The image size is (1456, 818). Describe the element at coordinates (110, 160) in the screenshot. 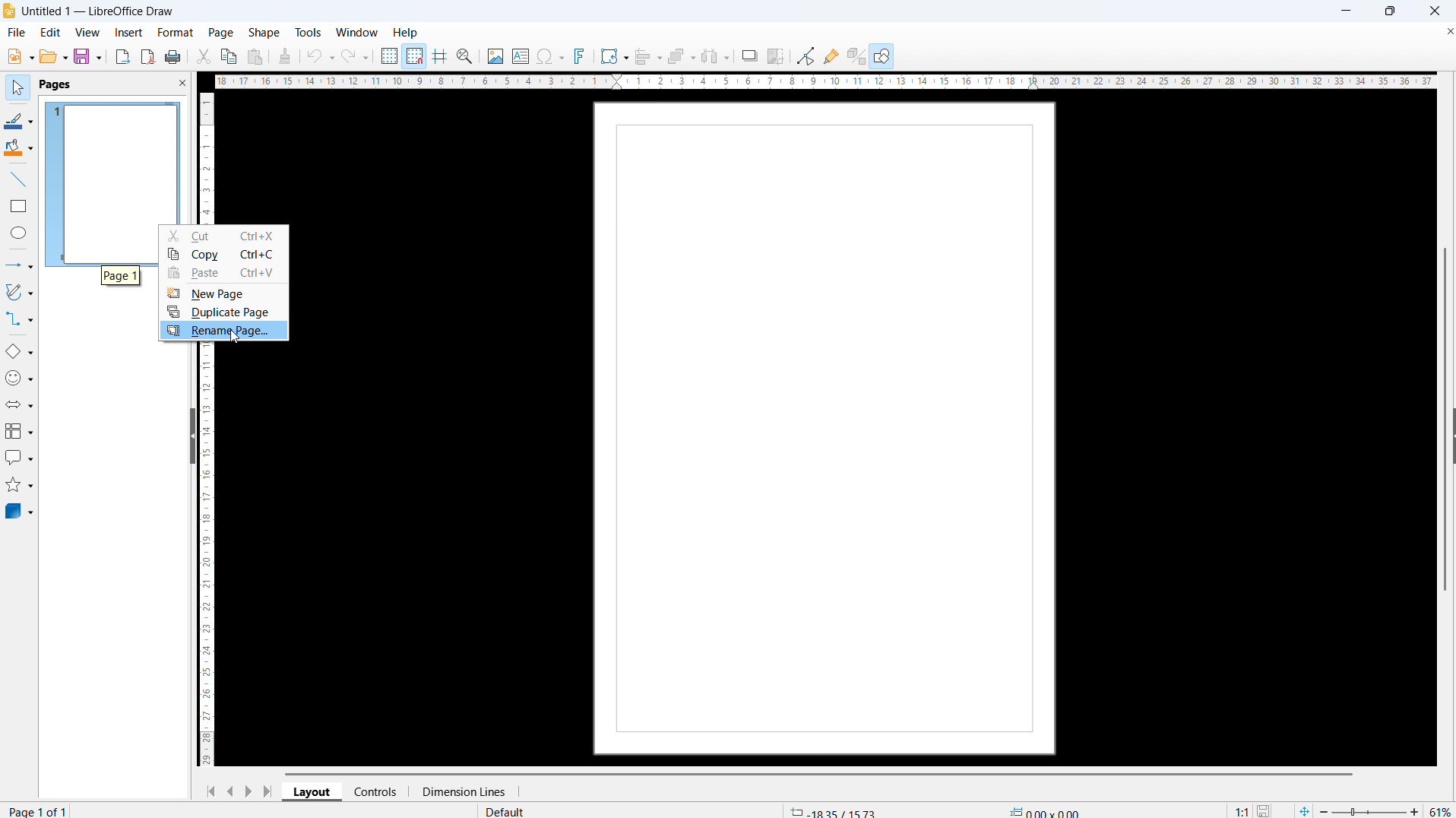

I see `page 1` at that location.